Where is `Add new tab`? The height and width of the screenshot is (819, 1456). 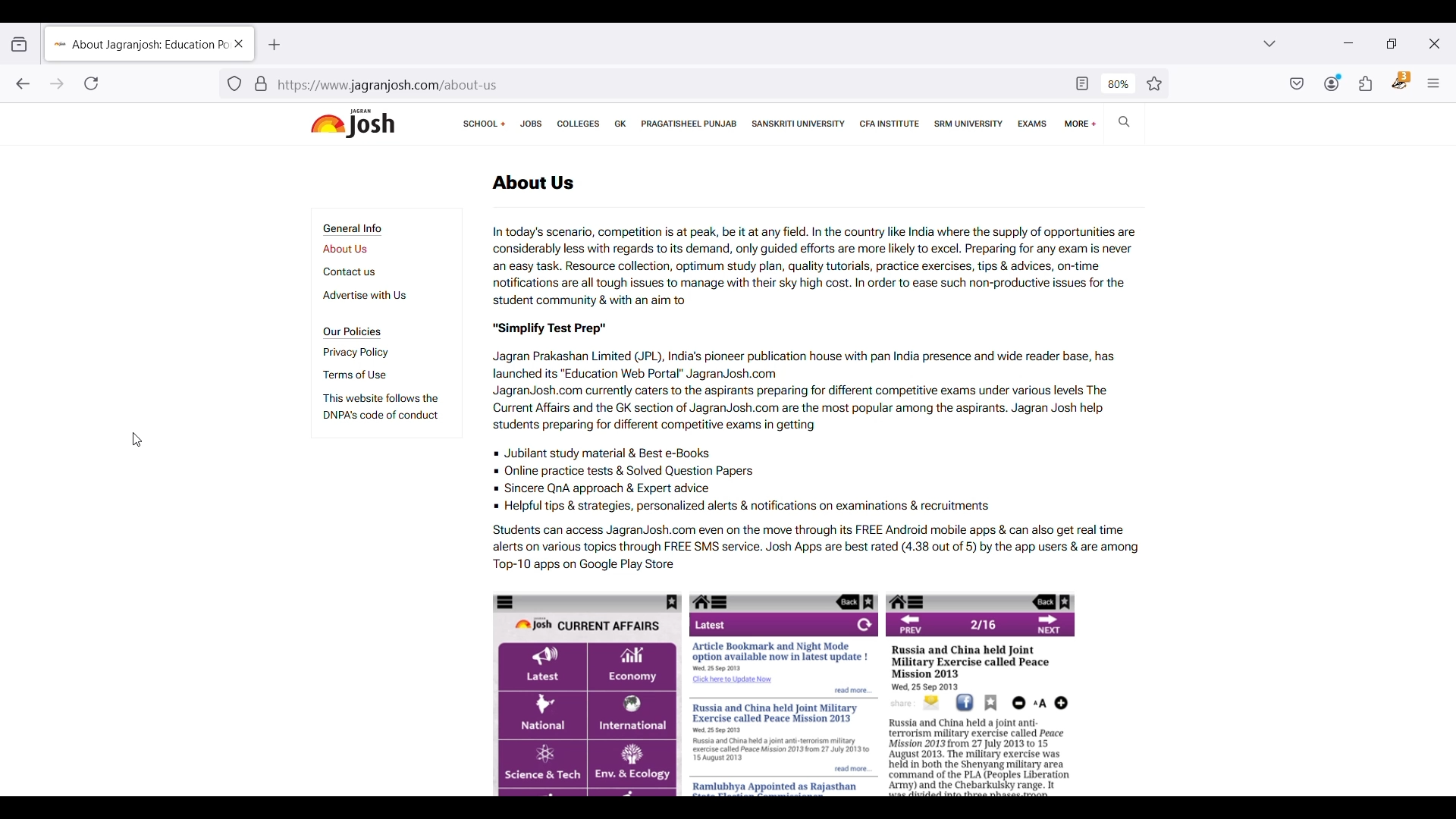 Add new tab is located at coordinates (275, 45).